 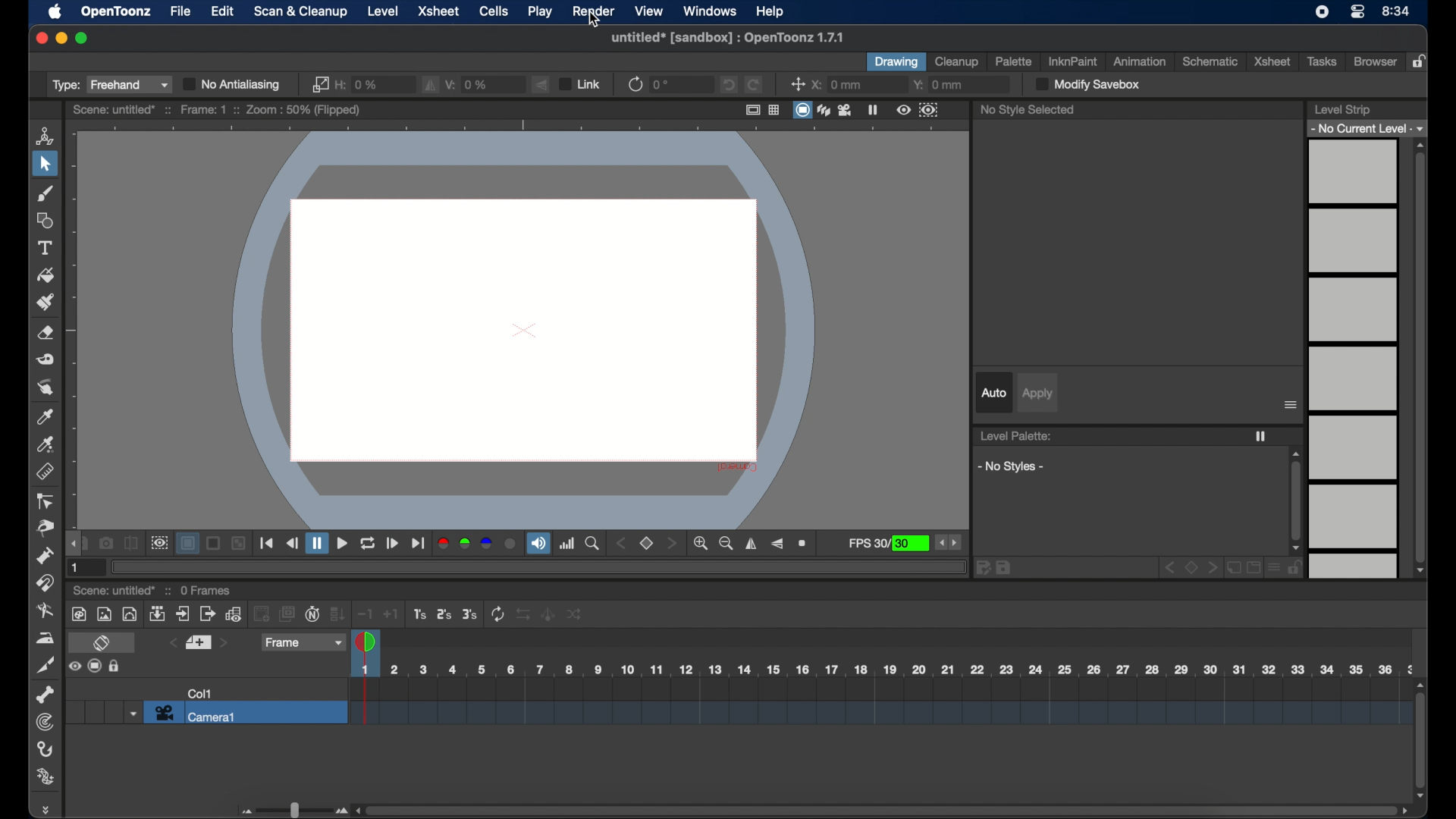 What do you see at coordinates (726, 37) in the screenshot?
I see `file name` at bounding box center [726, 37].